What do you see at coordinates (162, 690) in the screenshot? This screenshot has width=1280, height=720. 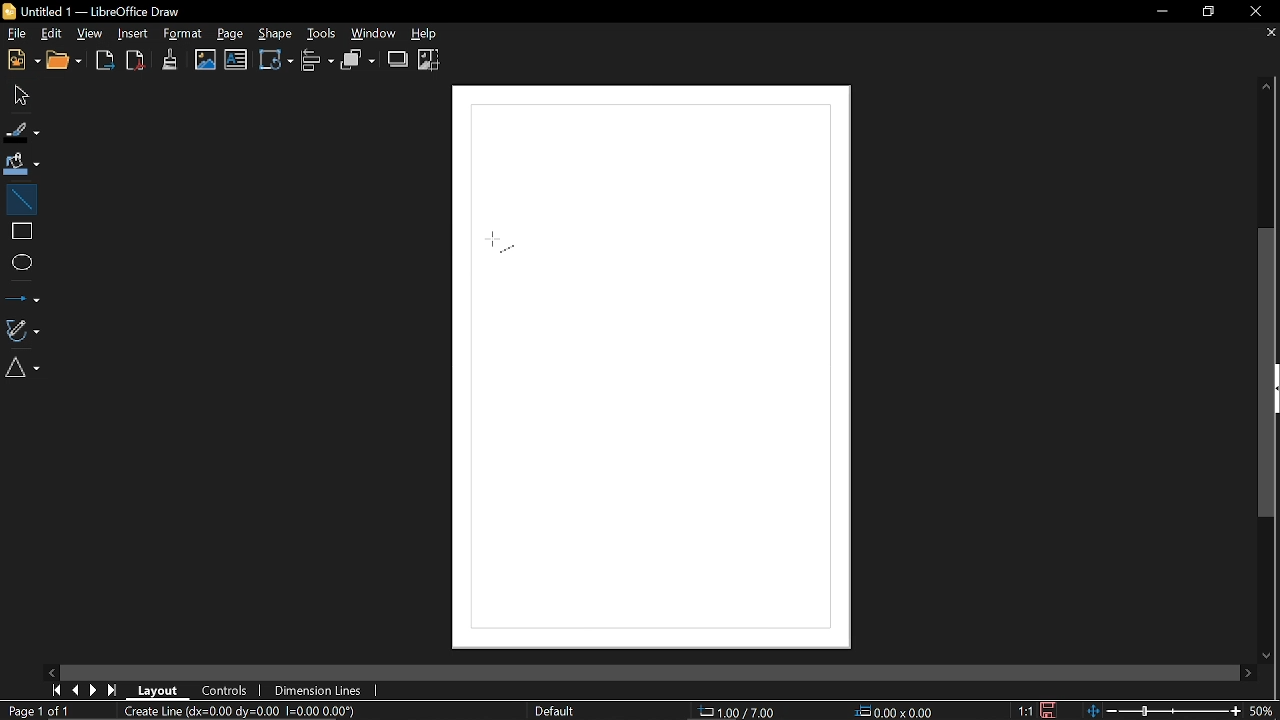 I see `Layout` at bounding box center [162, 690].